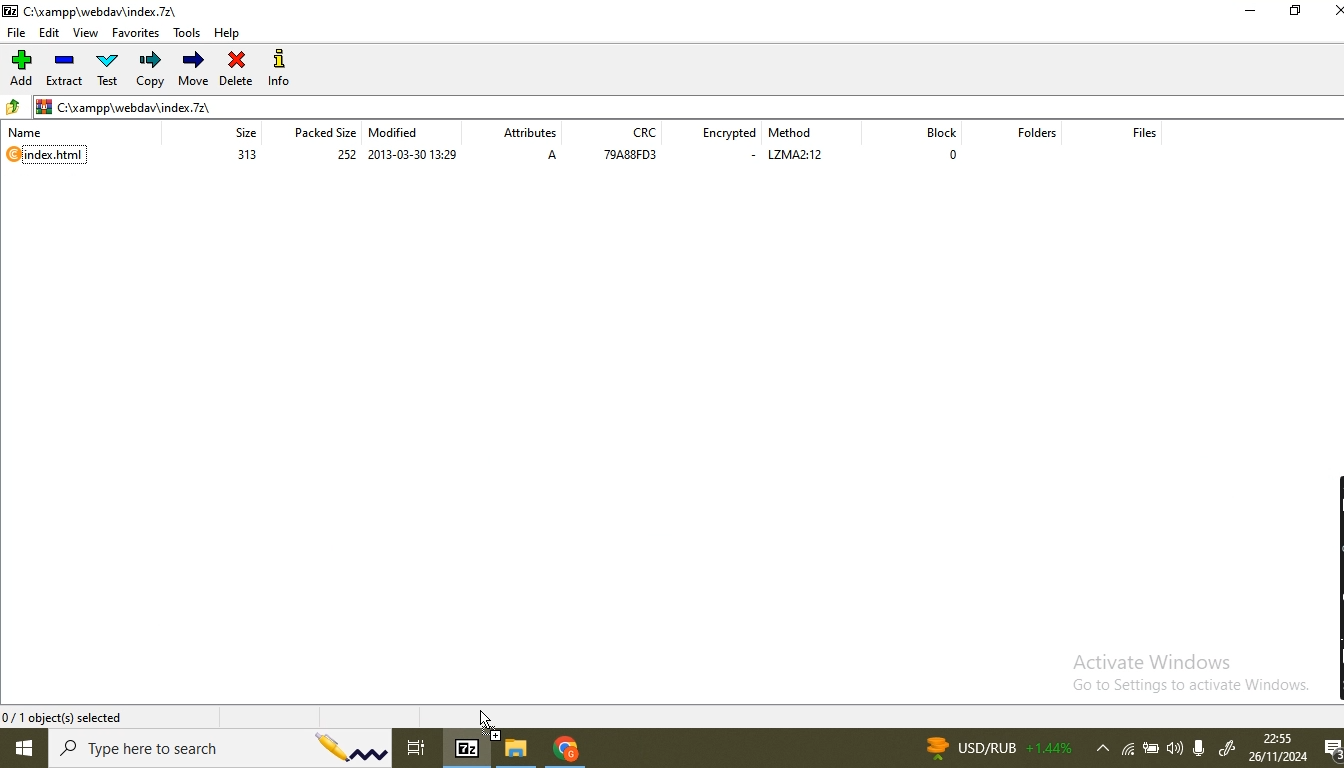  I want to click on view, so click(88, 34).